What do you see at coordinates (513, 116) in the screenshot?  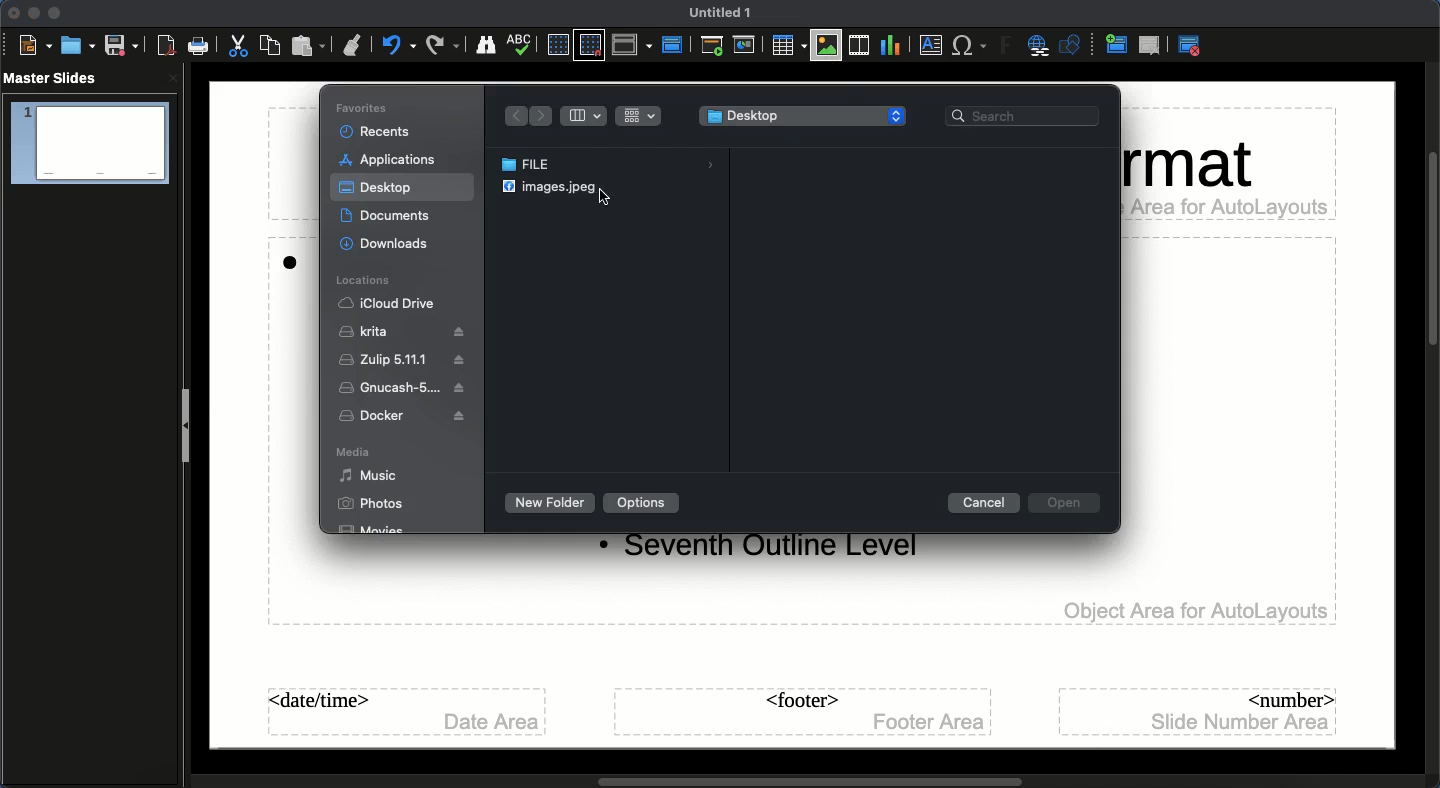 I see `Back` at bounding box center [513, 116].